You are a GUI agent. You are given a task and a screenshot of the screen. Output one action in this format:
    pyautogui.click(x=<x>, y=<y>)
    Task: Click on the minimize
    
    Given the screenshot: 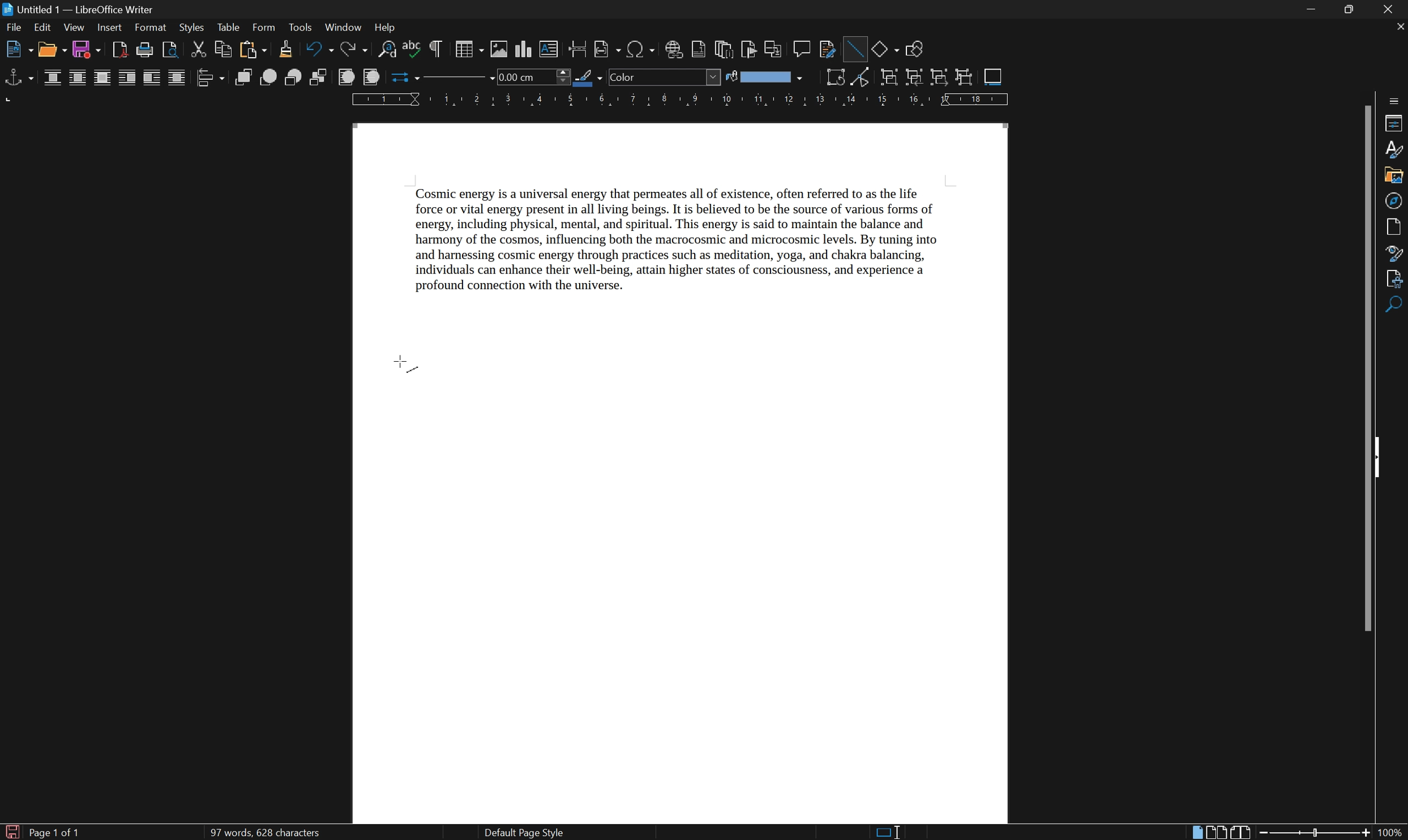 What is the action you would take?
    pyautogui.click(x=1313, y=10)
    